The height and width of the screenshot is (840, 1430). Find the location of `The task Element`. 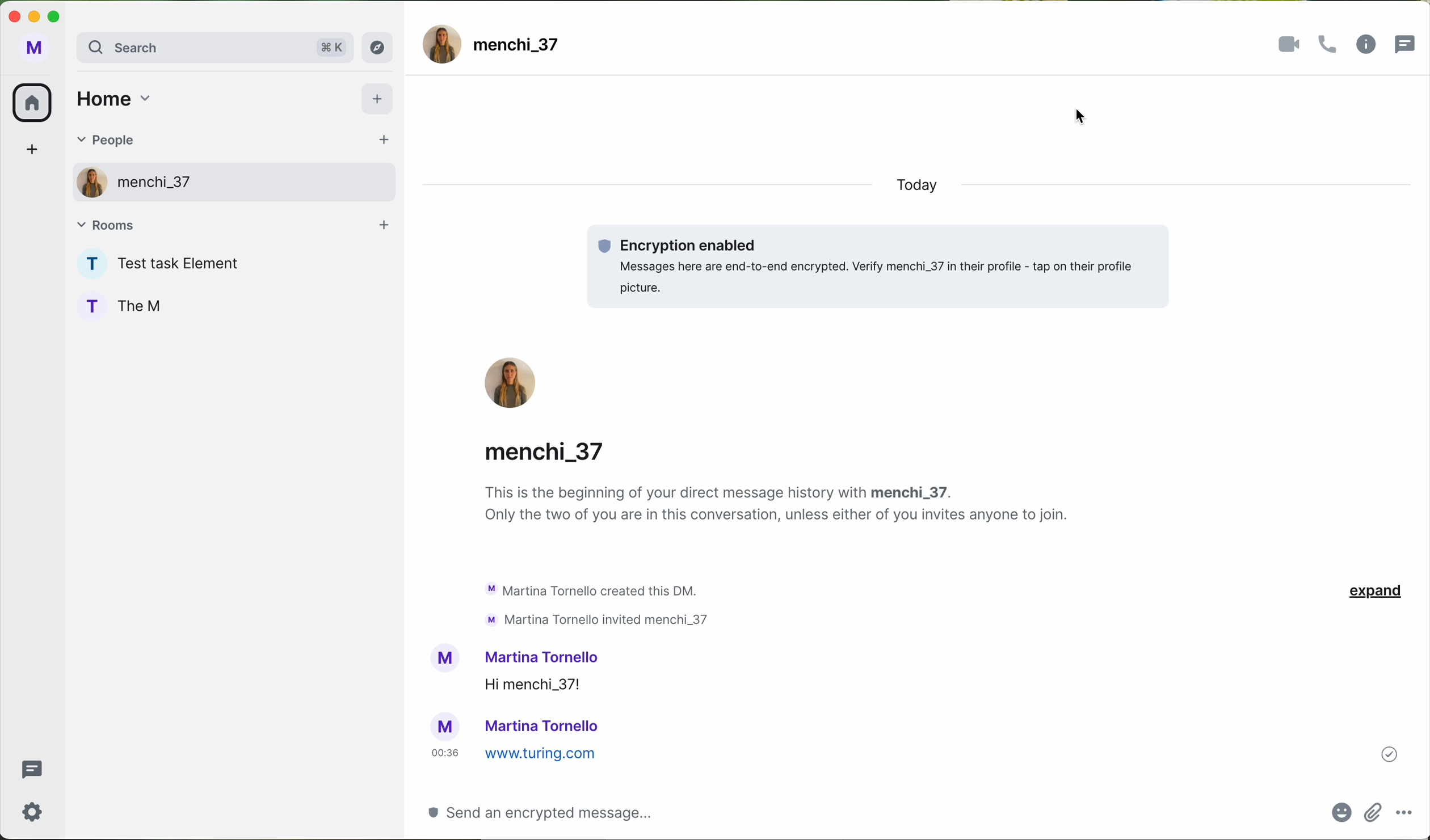

The task Element is located at coordinates (186, 265).